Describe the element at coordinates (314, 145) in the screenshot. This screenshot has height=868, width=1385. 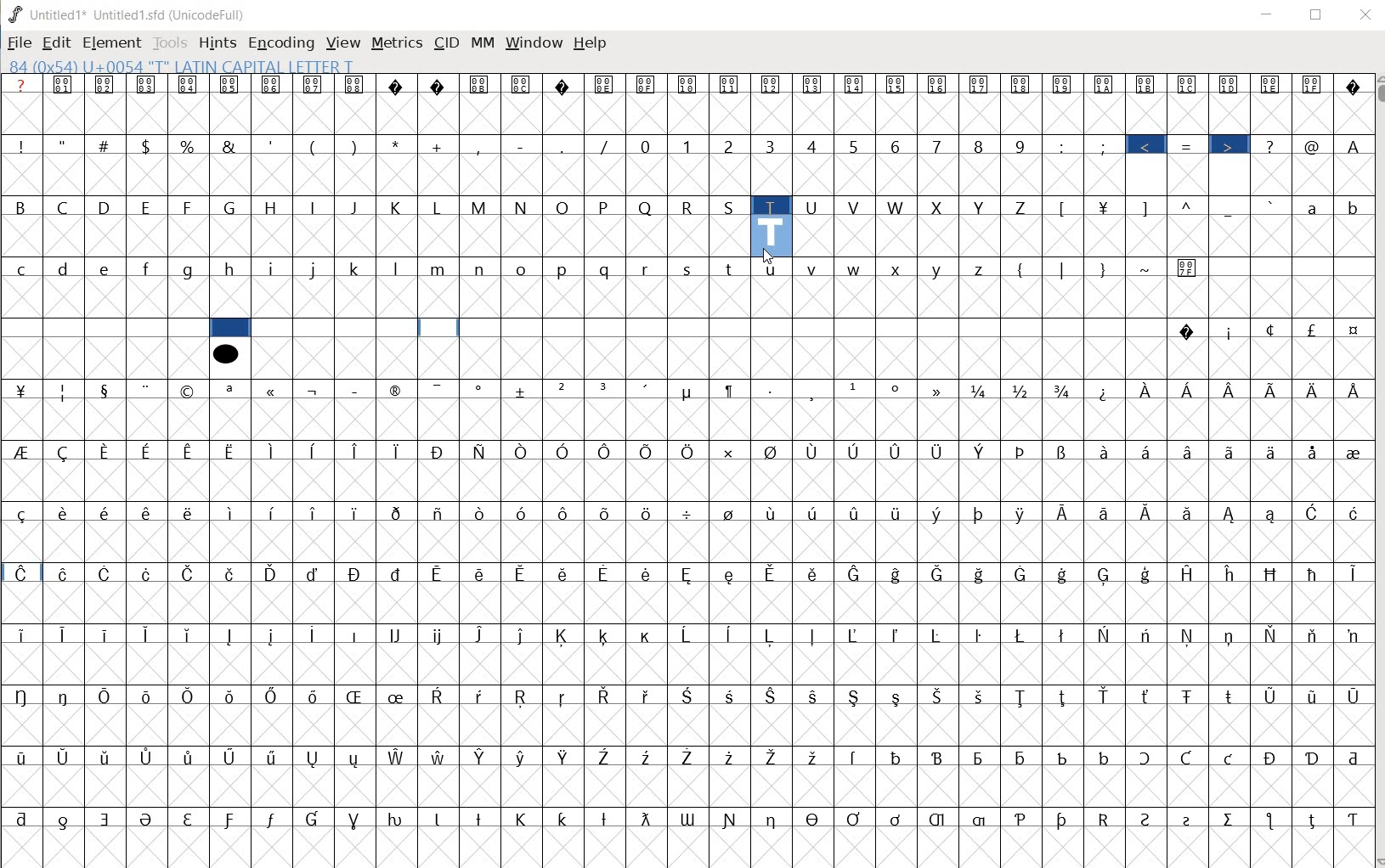
I see `(` at that location.